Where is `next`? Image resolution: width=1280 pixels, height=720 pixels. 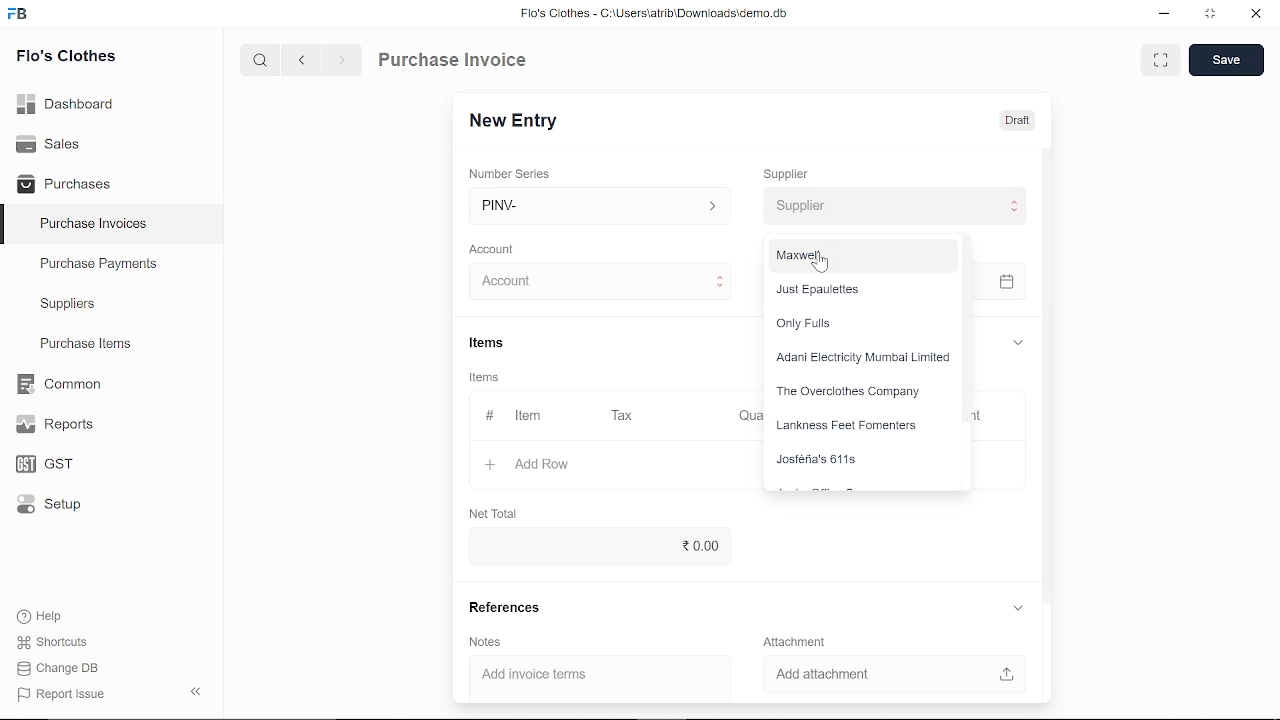
next is located at coordinates (342, 63).